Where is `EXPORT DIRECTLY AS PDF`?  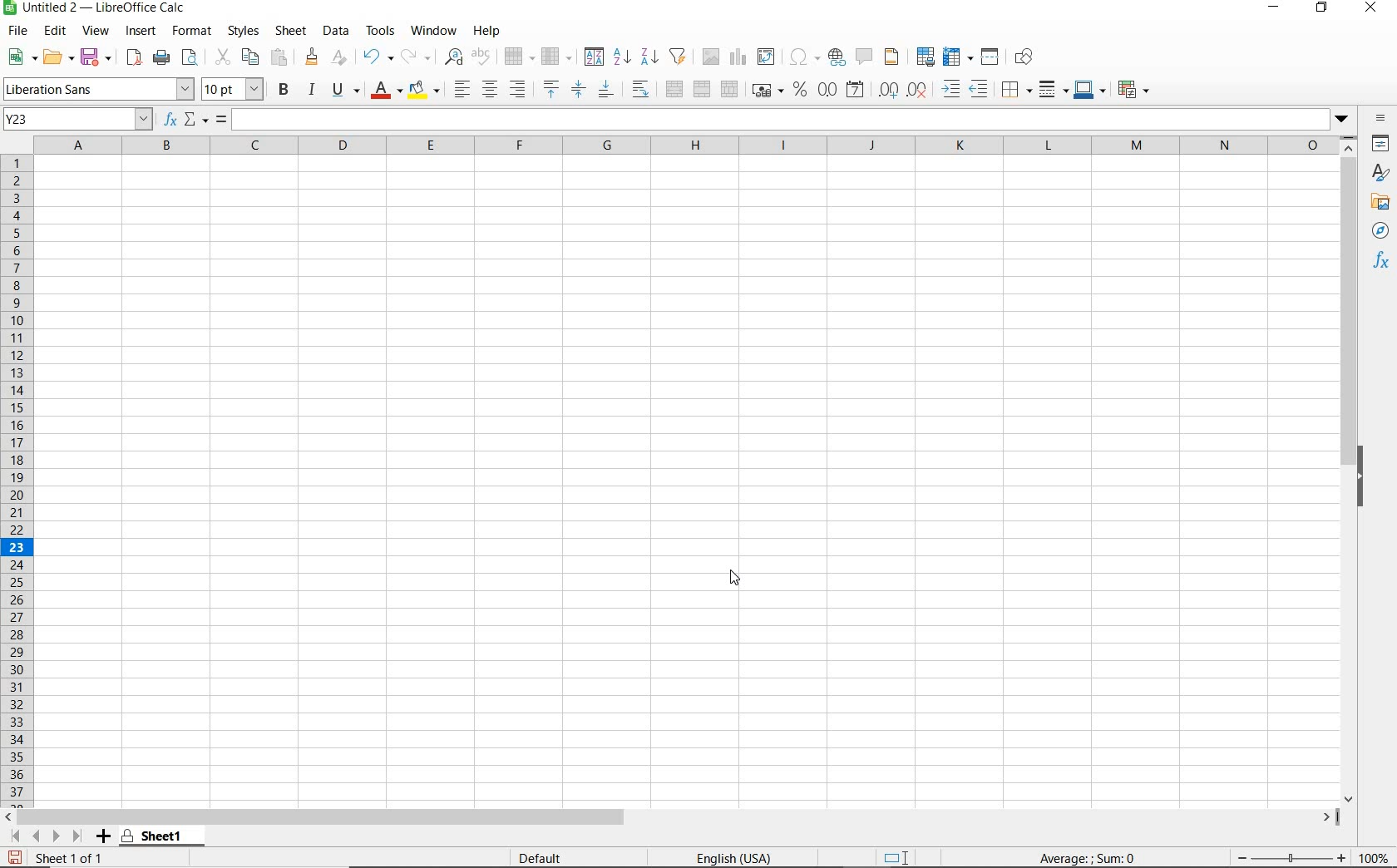
EXPORT DIRECTLY AS PDF is located at coordinates (133, 59).